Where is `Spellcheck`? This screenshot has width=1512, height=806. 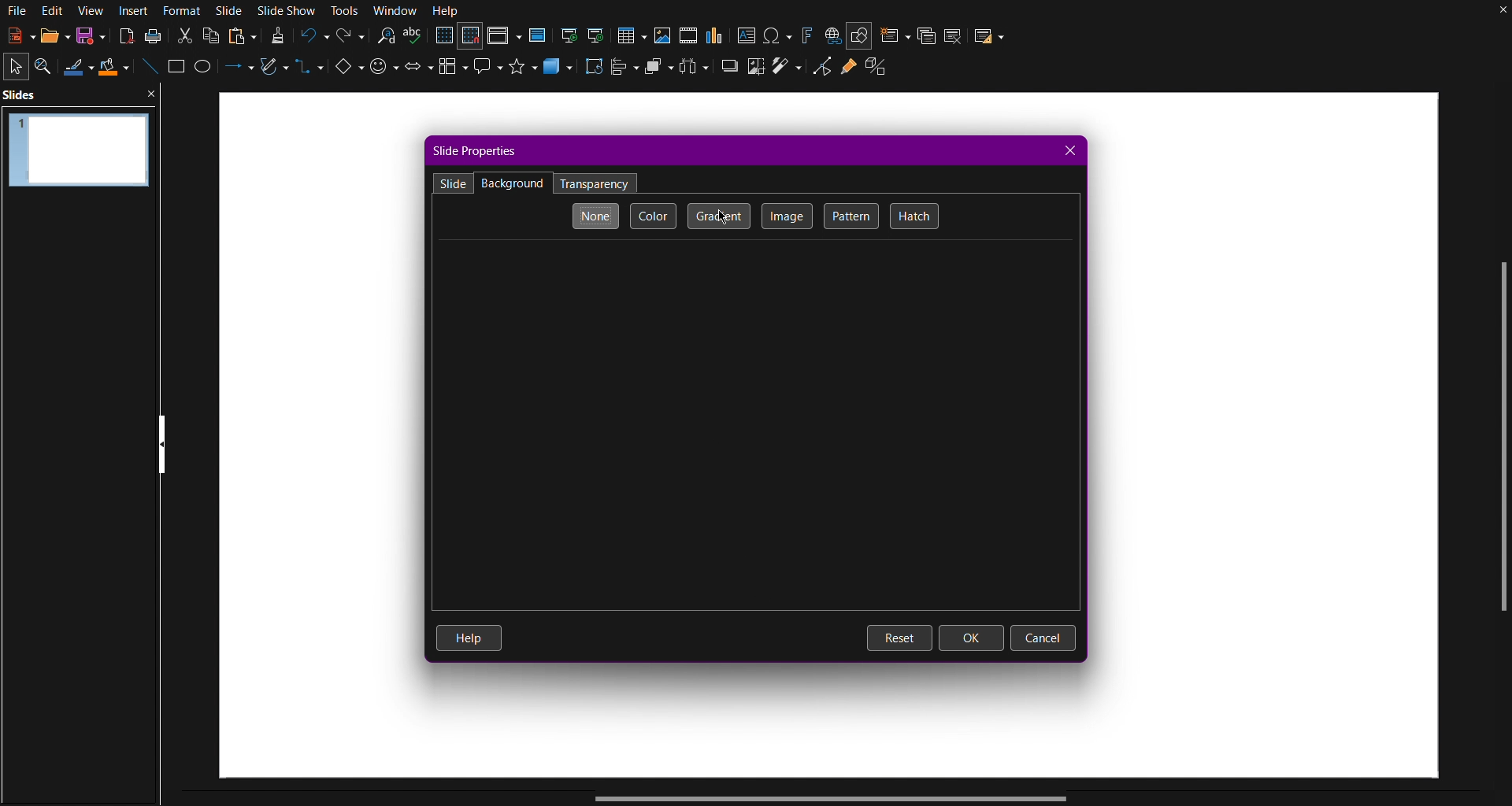
Spellcheck is located at coordinates (414, 37).